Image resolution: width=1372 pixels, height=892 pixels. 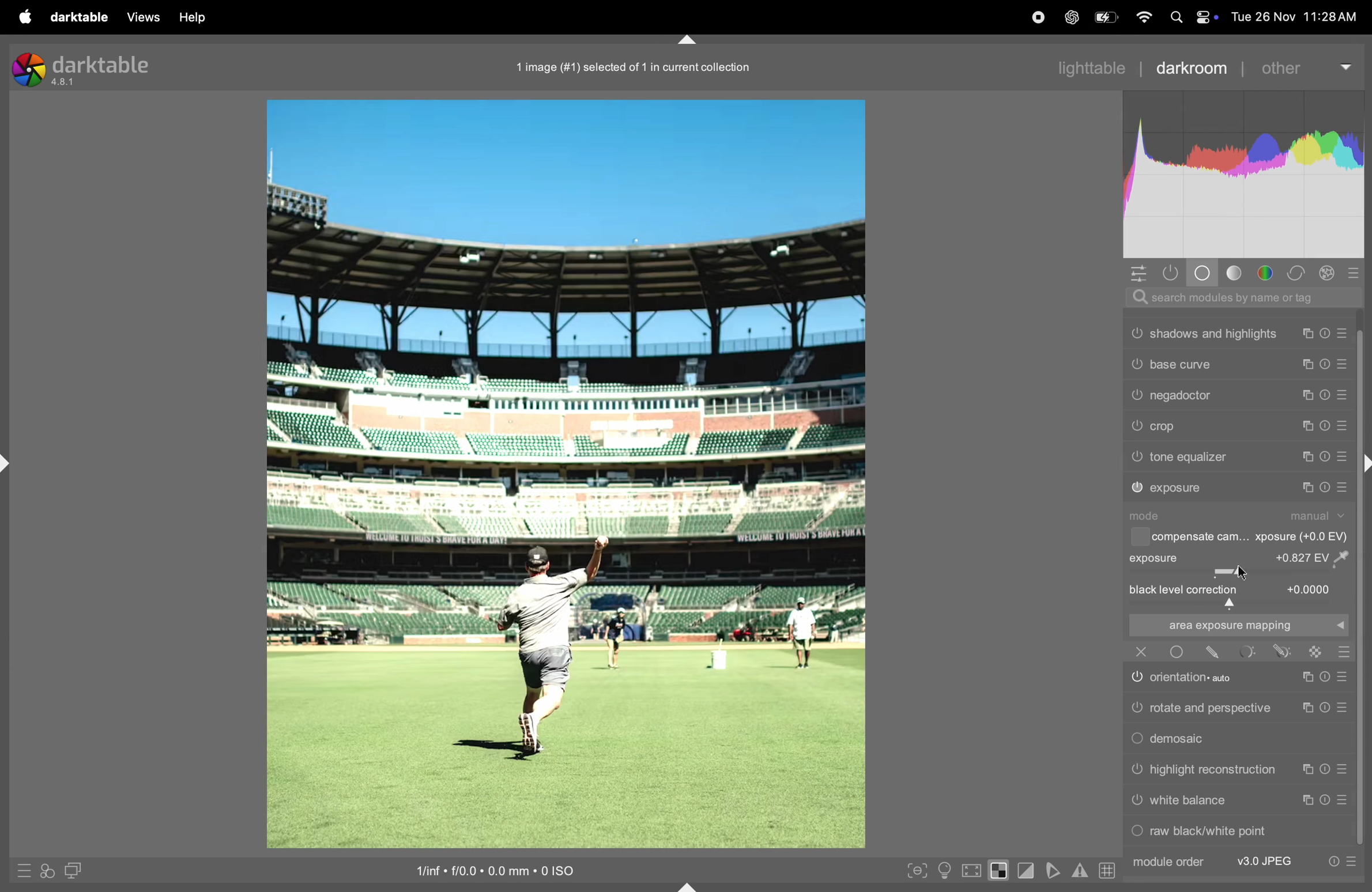 What do you see at coordinates (1326, 800) in the screenshot?
I see `reset Preset` at bounding box center [1326, 800].